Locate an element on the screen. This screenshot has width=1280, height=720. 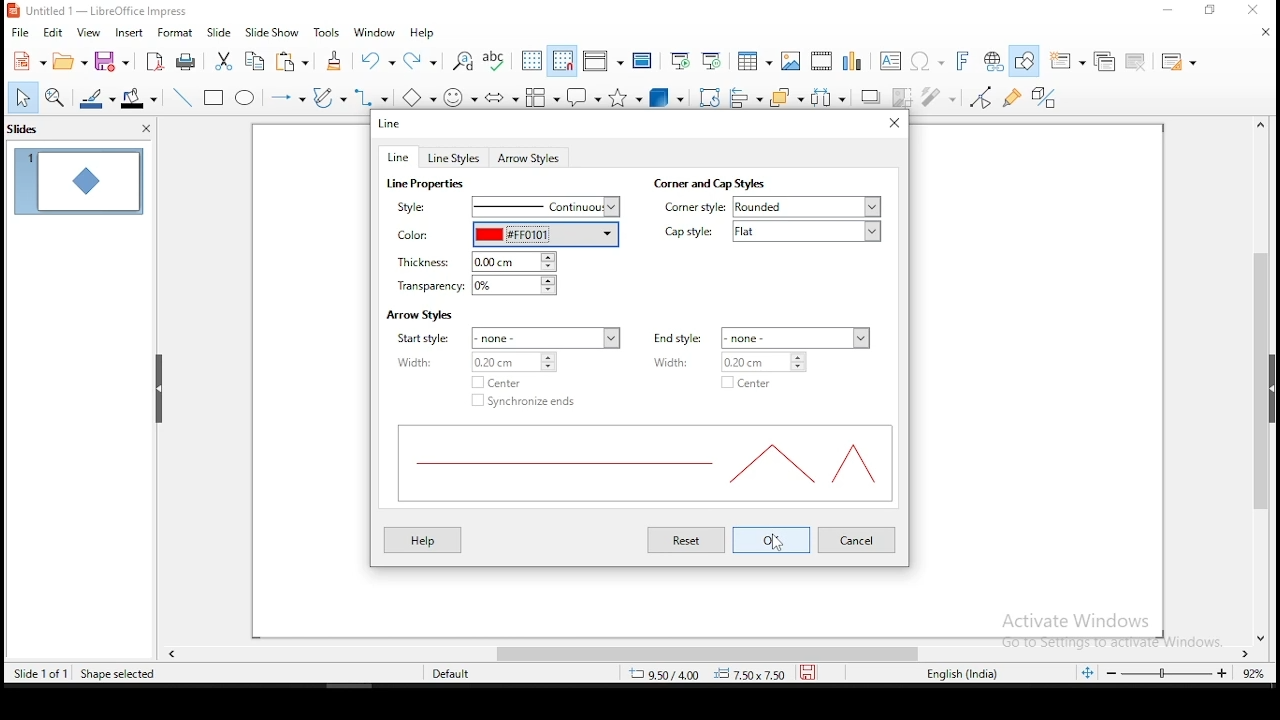
fill color is located at coordinates (139, 99).